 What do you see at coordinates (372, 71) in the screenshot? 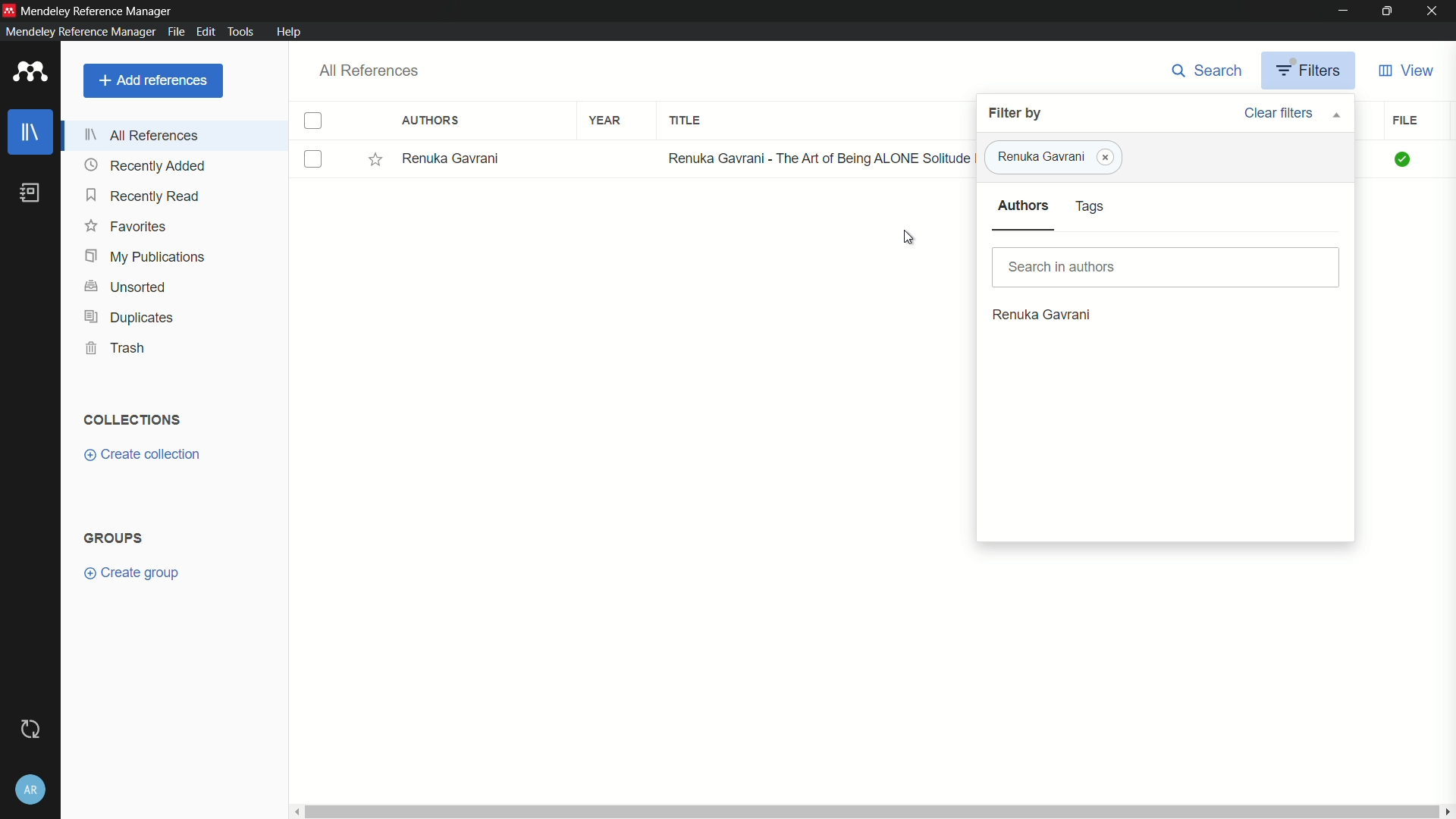
I see `all references` at bounding box center [372, 71].